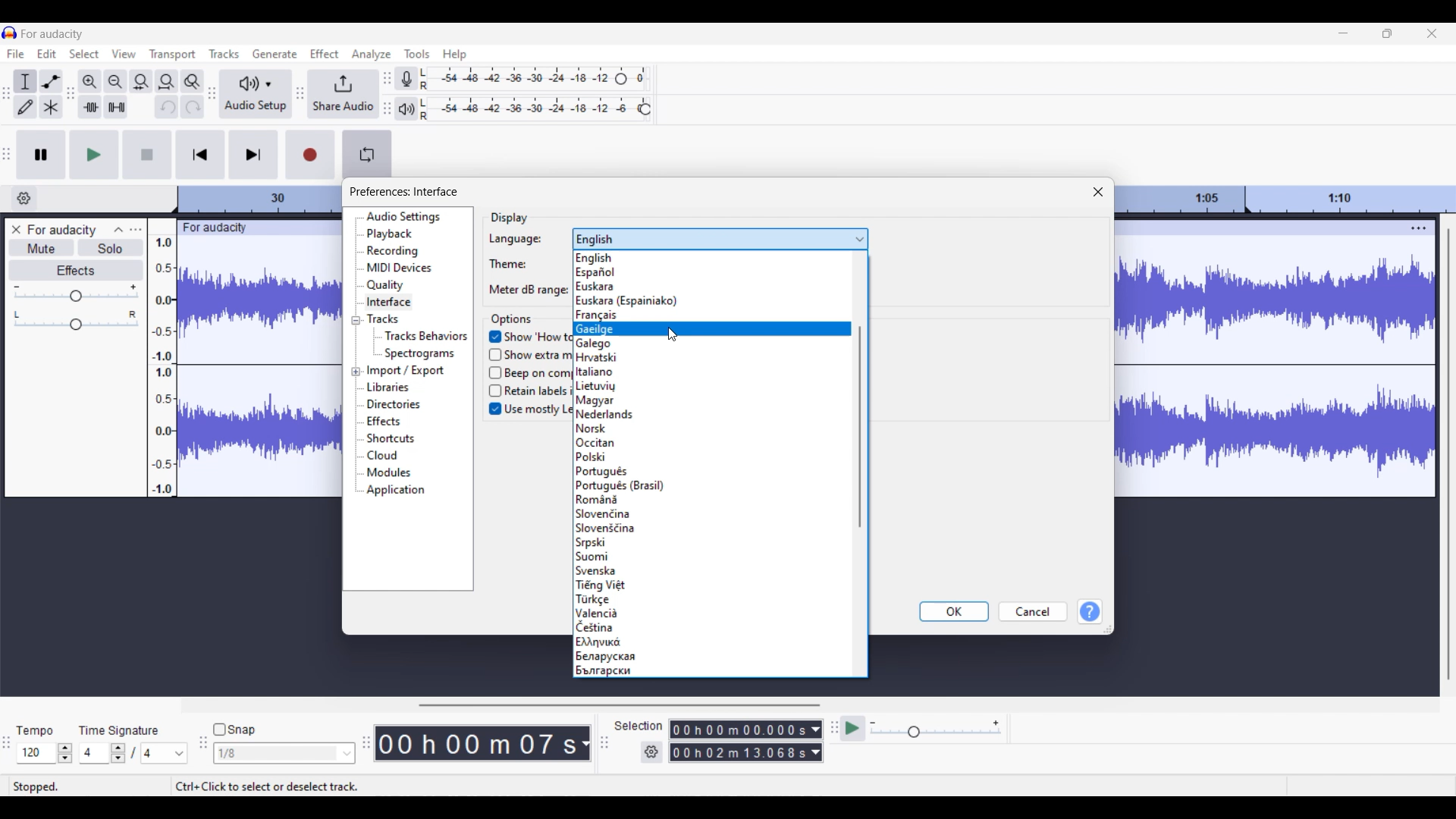 The image size is (1456, 819). Describe the element at coordinates (953, 611) in the screenshot. I see `OK` at that location.